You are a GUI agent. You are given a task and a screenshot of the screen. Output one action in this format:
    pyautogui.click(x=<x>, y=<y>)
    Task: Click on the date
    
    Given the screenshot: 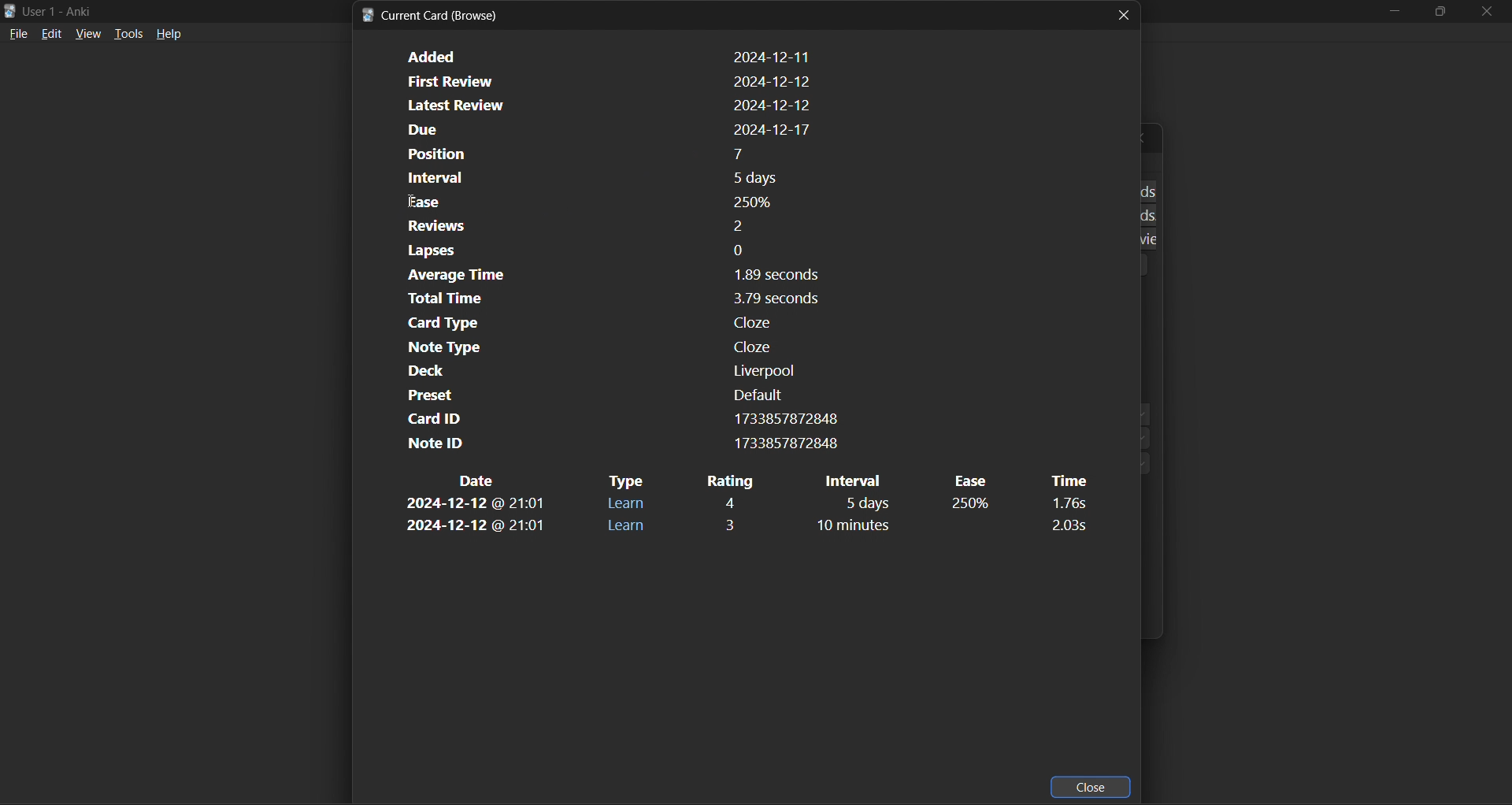 What is the action you would take?
    pyautogui.click(x=479, y=480)
    